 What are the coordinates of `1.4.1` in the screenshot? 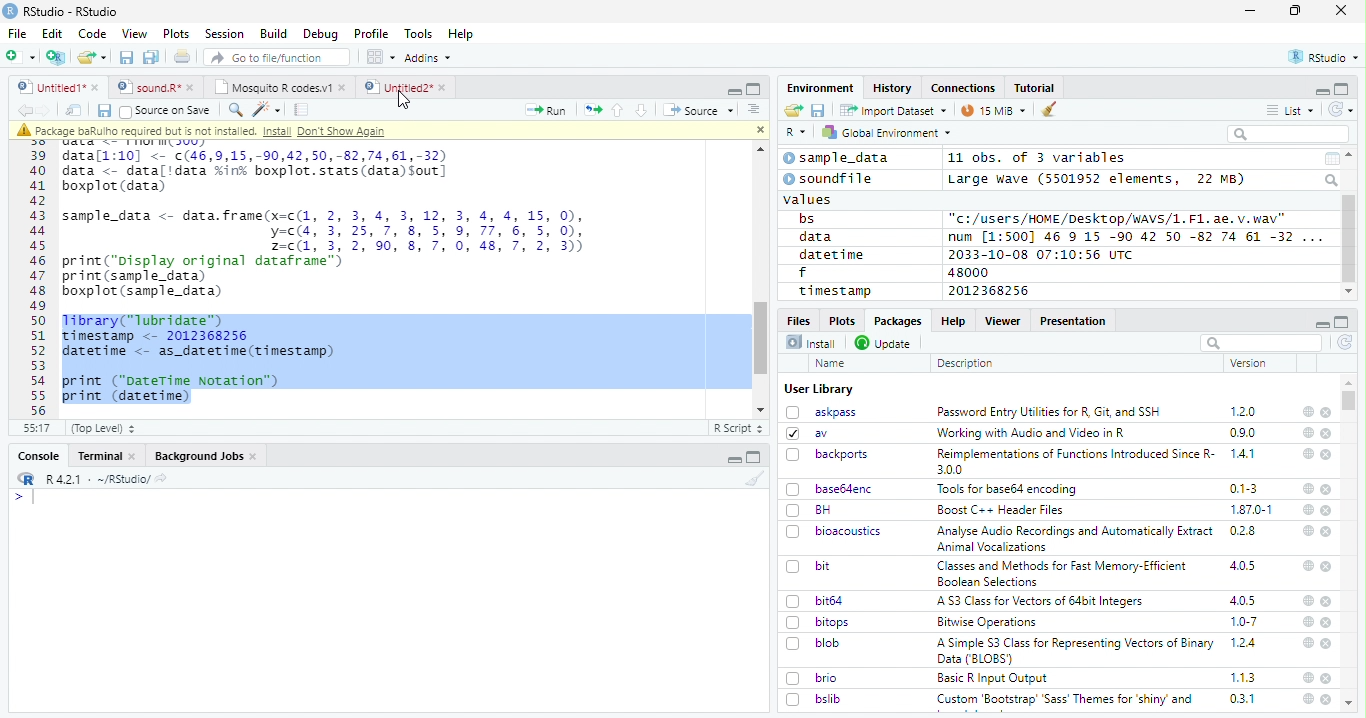 It's located at (1244, 453).